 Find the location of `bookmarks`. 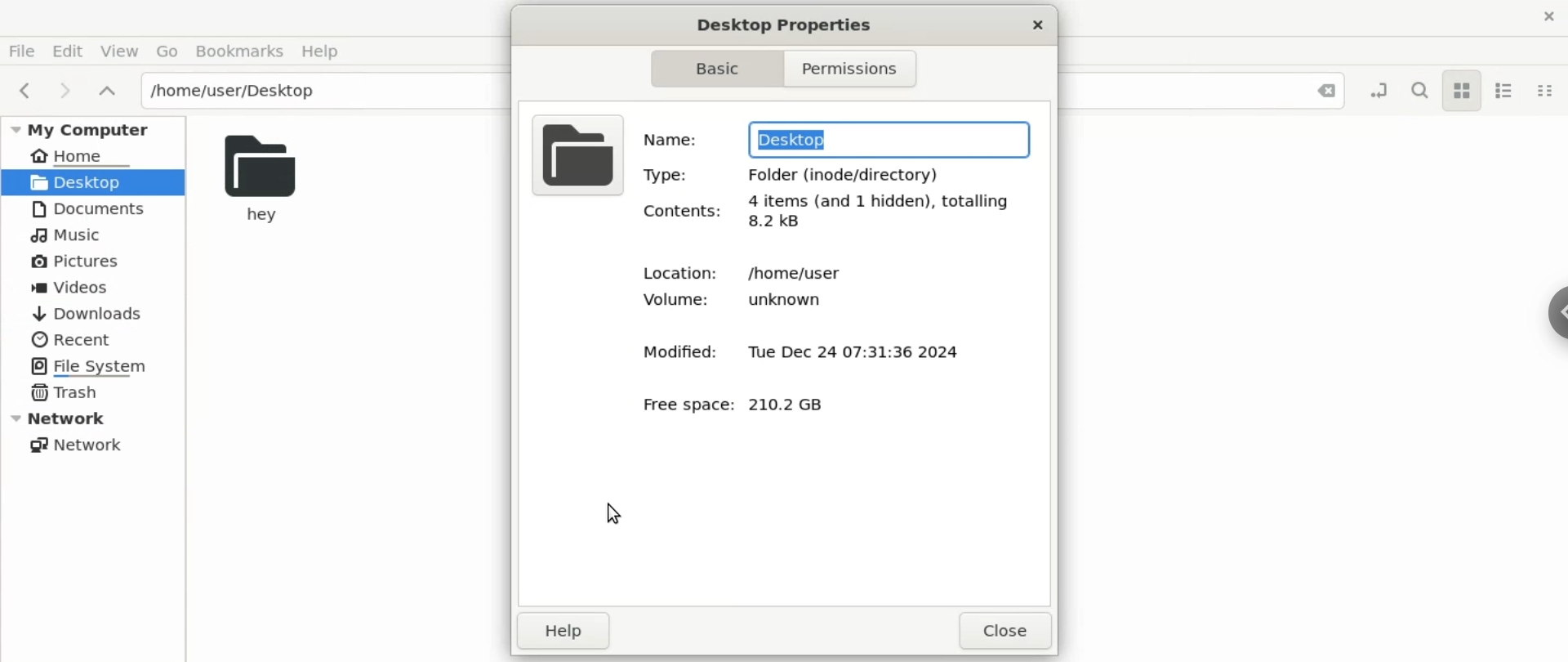

bookmarks is located at coordinates (243, 50).